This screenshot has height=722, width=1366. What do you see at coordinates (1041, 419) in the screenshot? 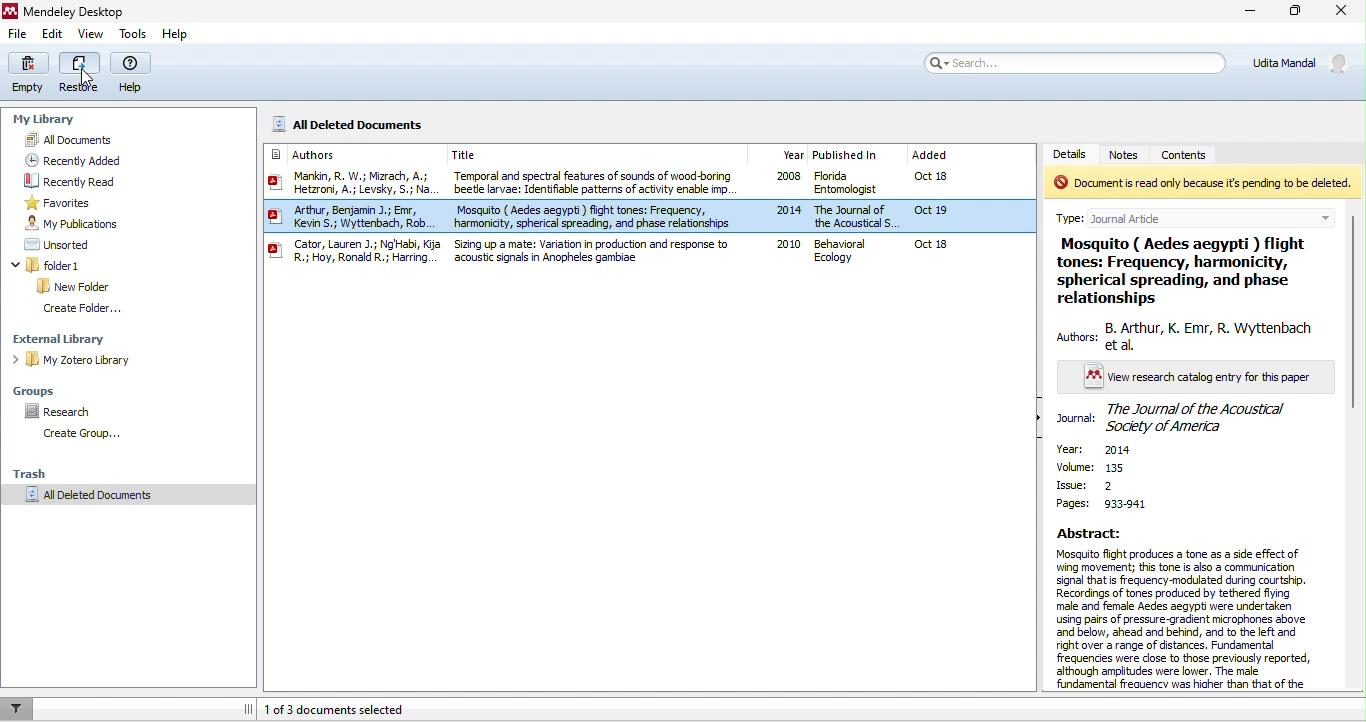
I see `hide/show` at bounding box center [1041, 419].